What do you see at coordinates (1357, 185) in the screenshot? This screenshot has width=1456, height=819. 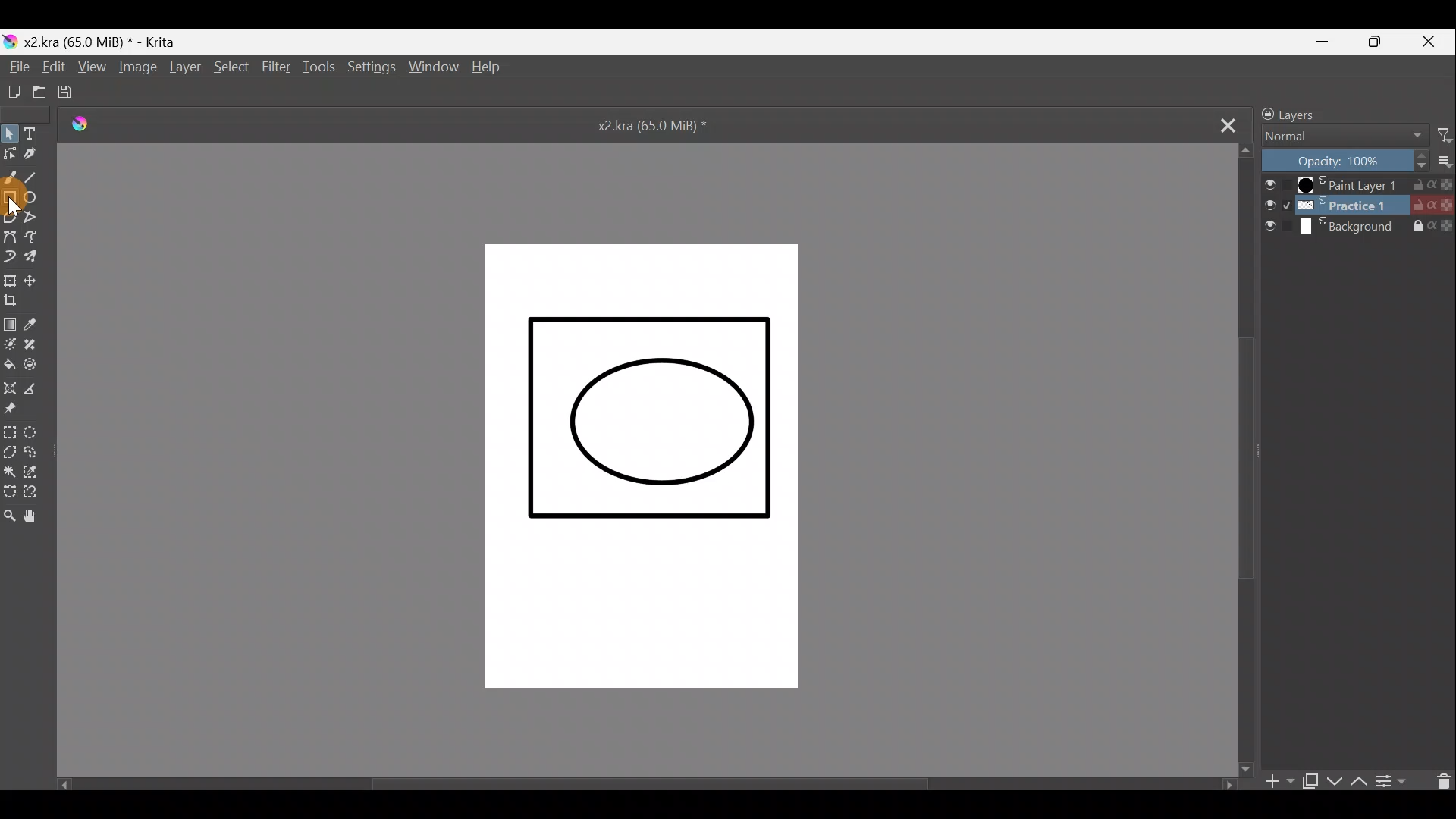 I see `Paint Layer 1` at bounding box center [1357, 185].